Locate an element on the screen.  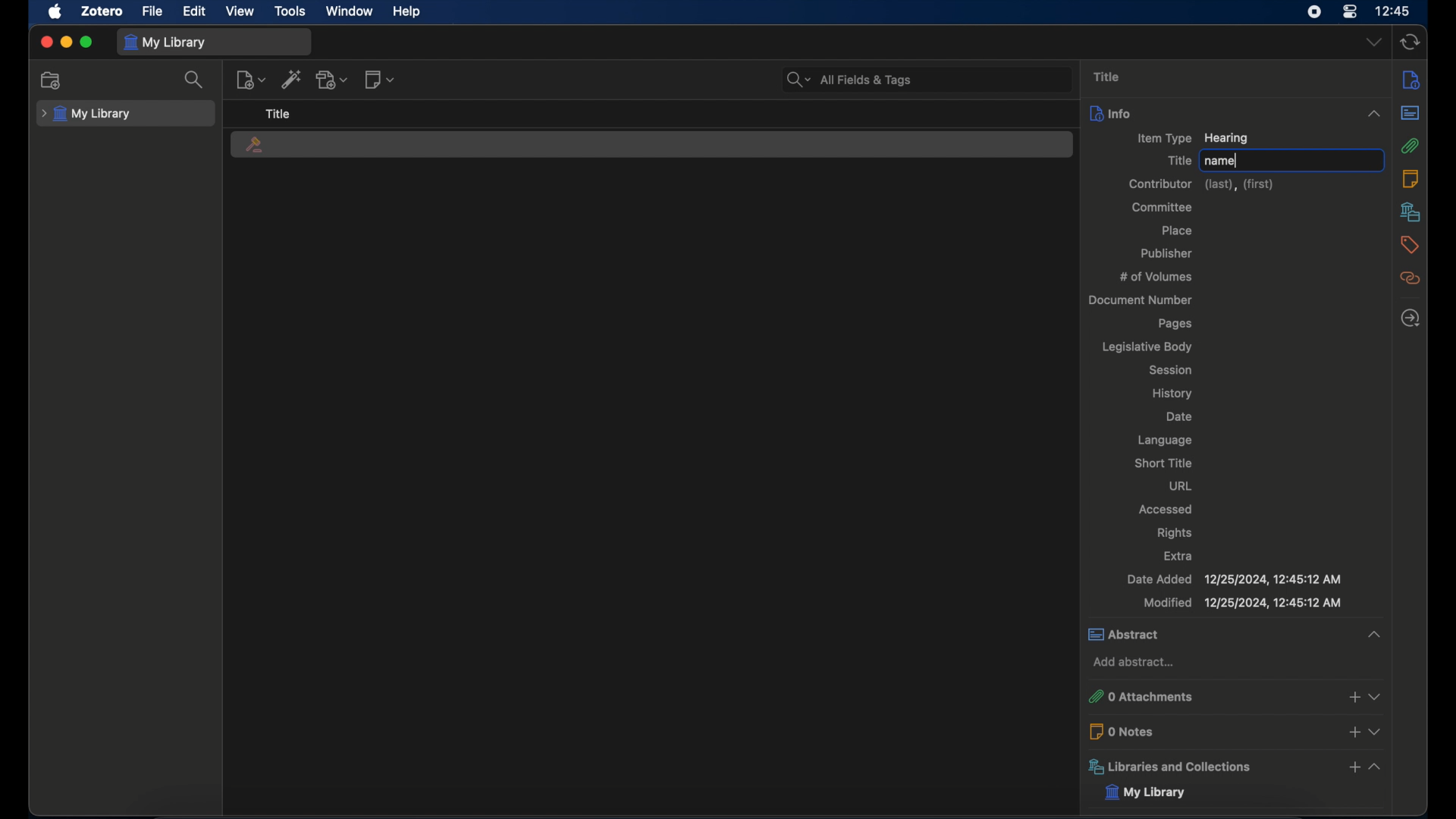
locate is located at coordinates (1411, 318).